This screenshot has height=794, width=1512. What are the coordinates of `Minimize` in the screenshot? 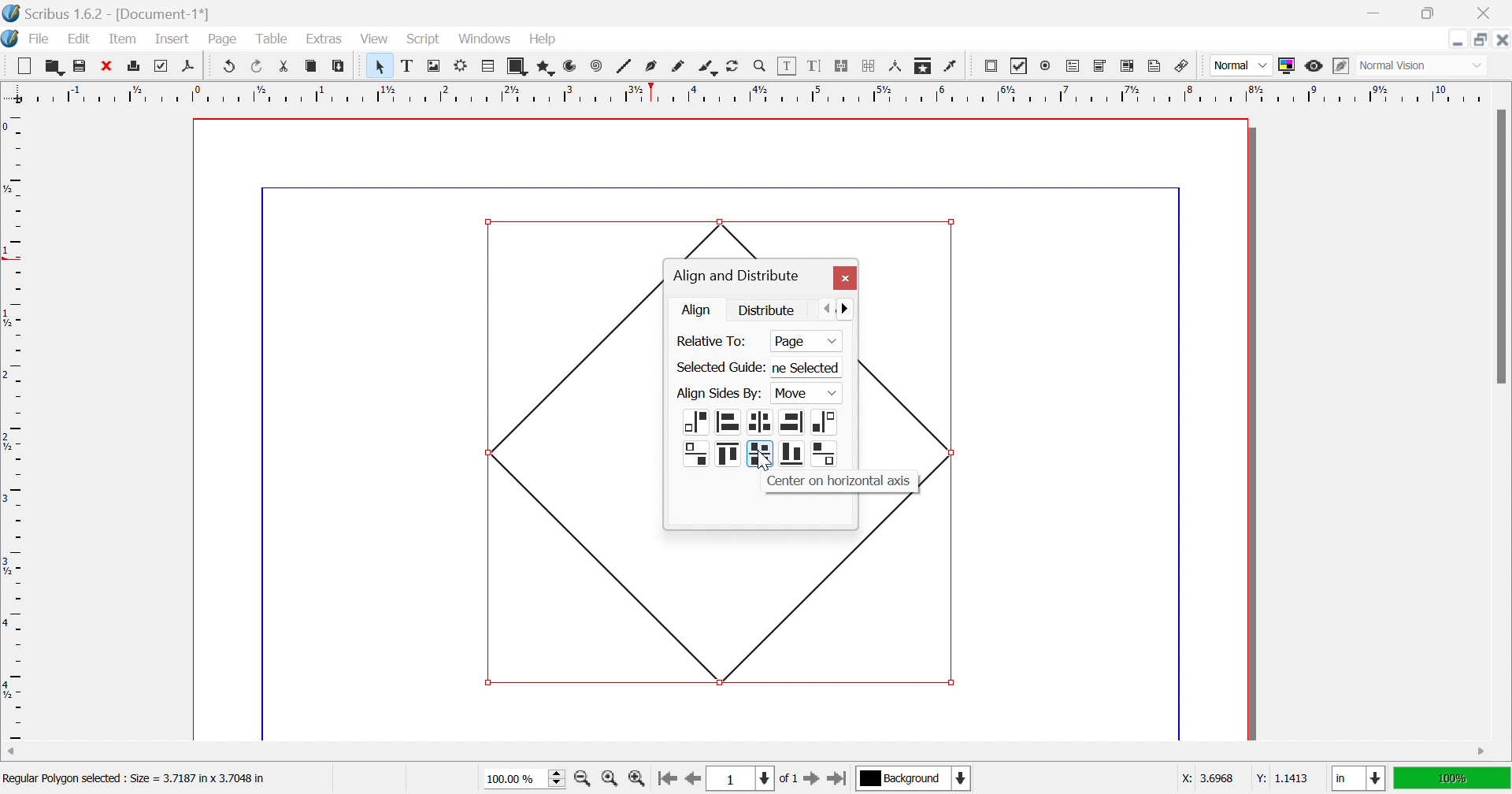 It's located at (1458, 39).